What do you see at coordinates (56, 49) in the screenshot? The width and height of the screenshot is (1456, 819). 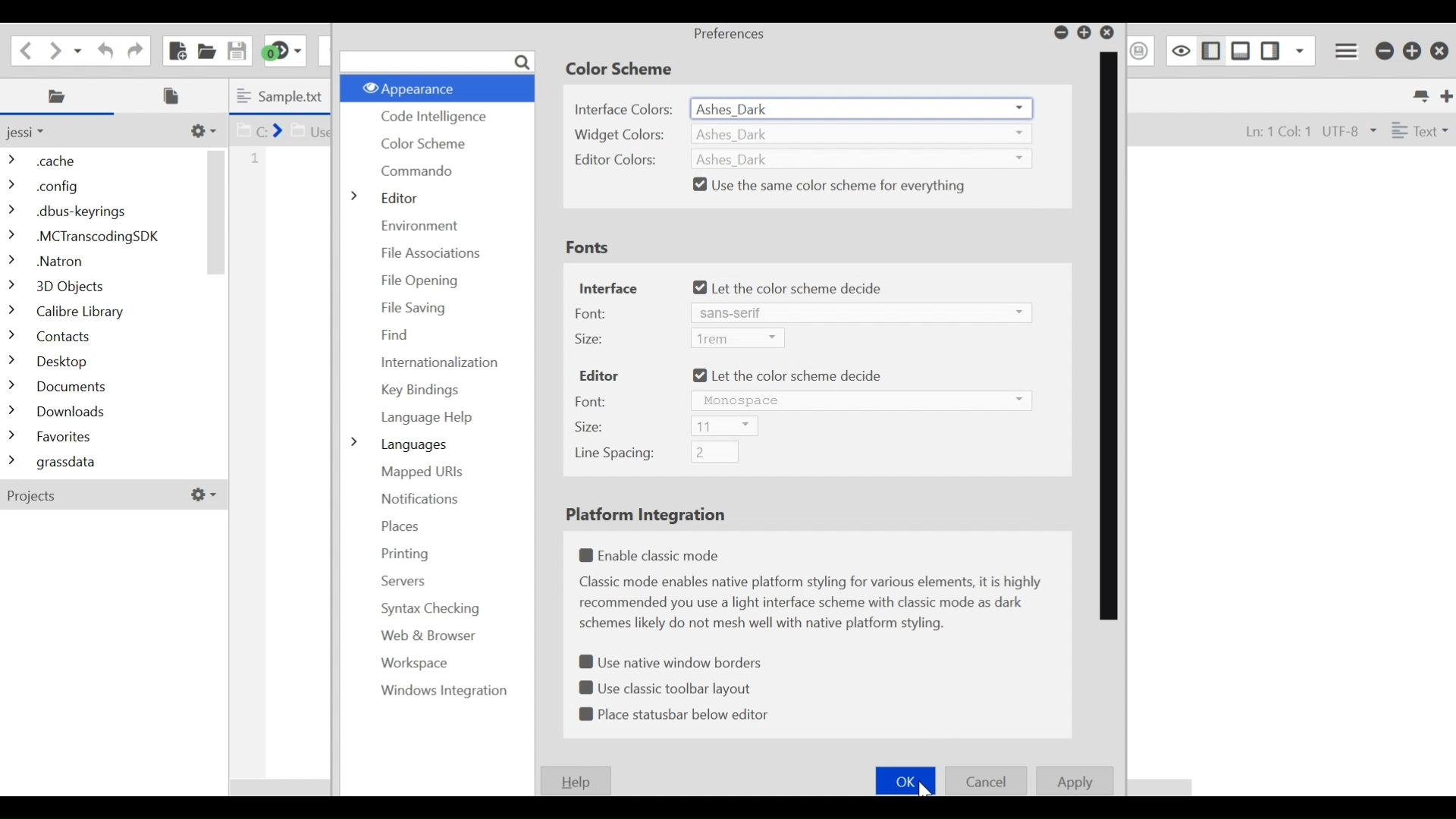 I see `Go forward one location` at bounding box center [56, 49].